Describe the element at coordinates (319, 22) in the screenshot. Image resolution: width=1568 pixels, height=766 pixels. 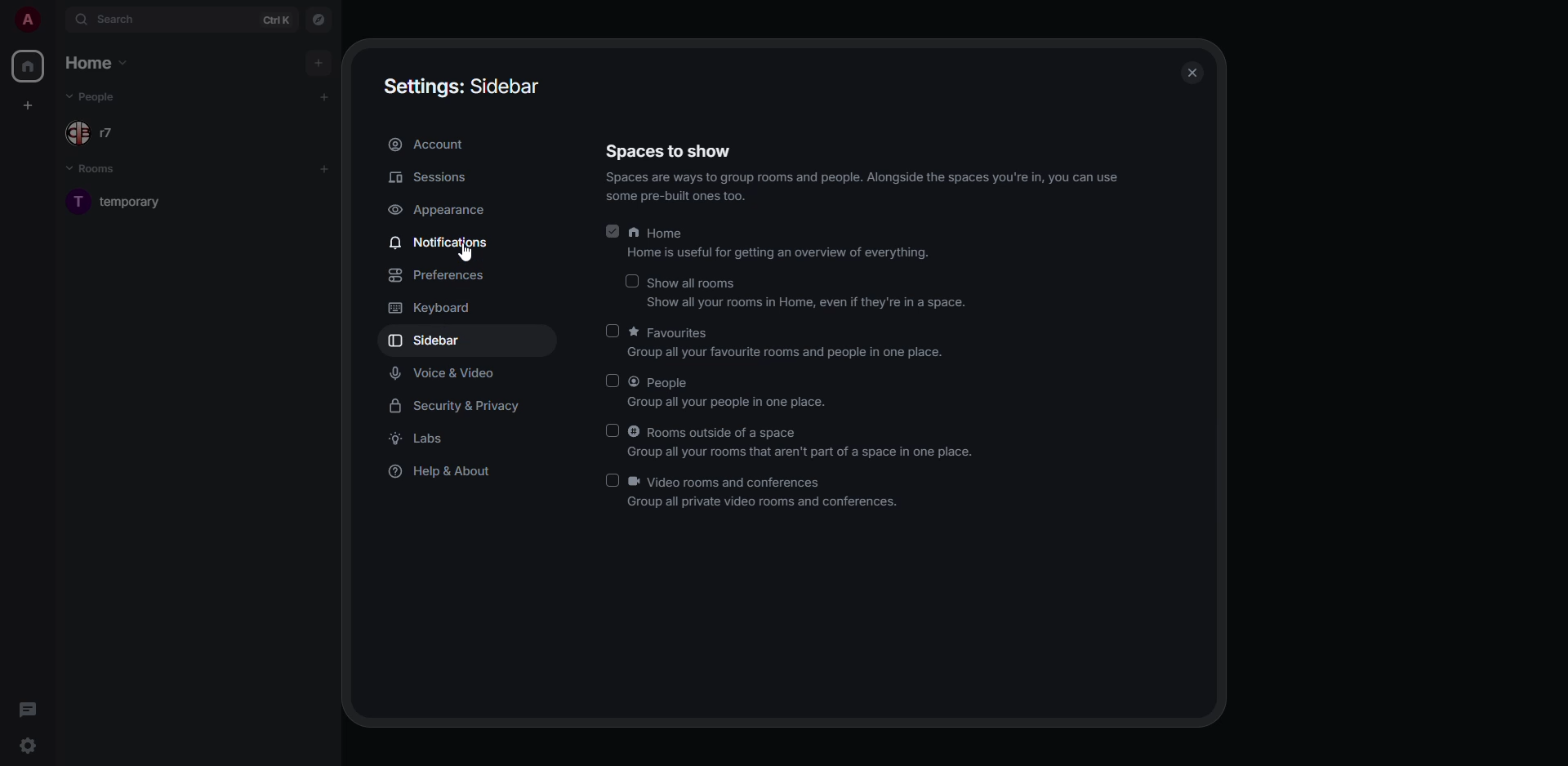
I see `navigator` at that location.